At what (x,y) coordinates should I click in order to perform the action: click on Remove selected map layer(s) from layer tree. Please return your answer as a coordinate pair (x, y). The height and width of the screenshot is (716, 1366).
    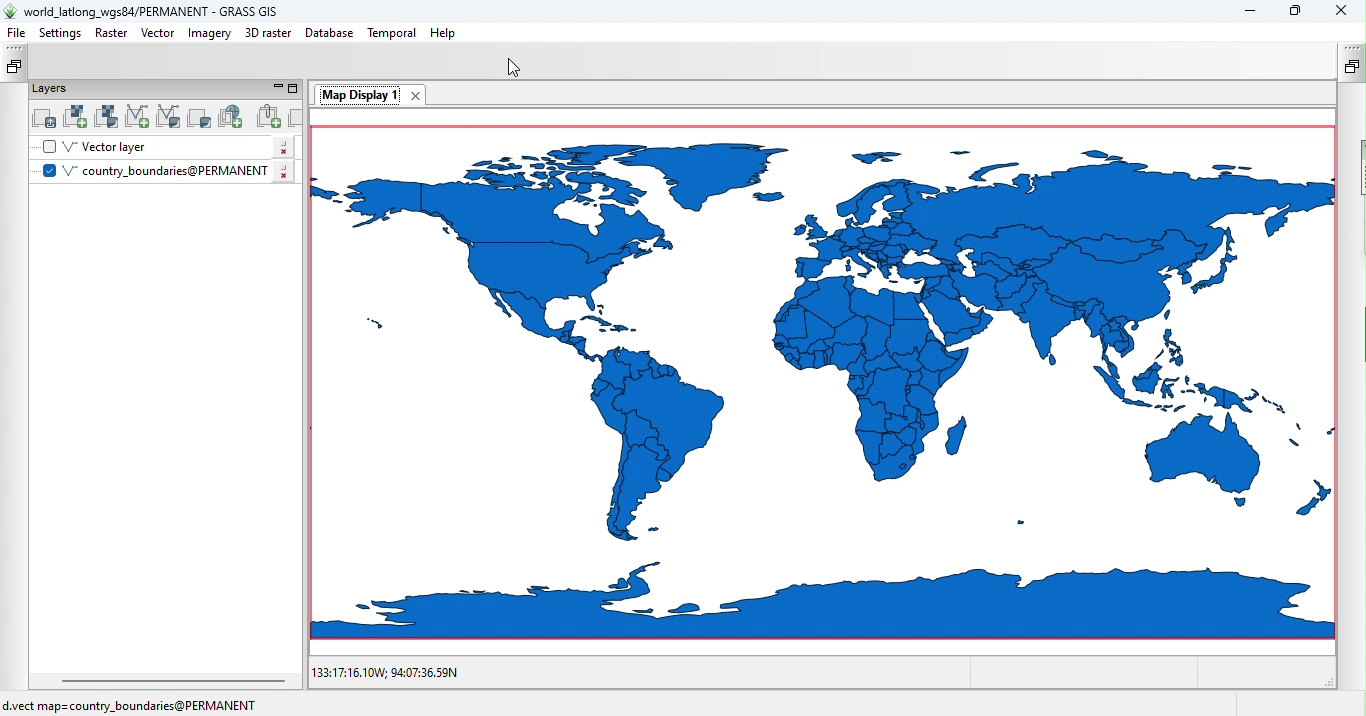
    Looking at the image, I should click on (297, 117).